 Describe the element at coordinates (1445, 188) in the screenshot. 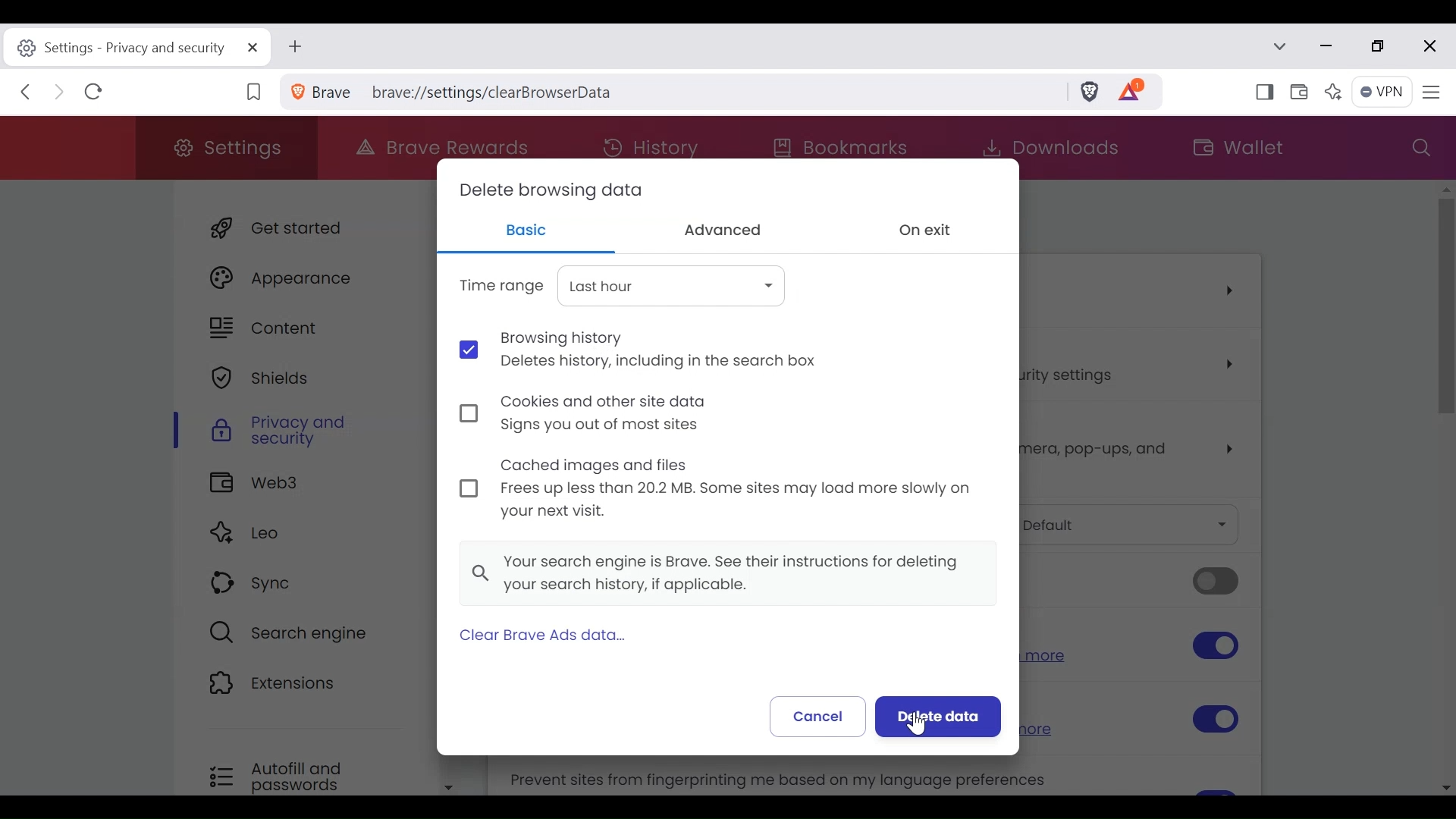

I see `Scroll up` at that location.